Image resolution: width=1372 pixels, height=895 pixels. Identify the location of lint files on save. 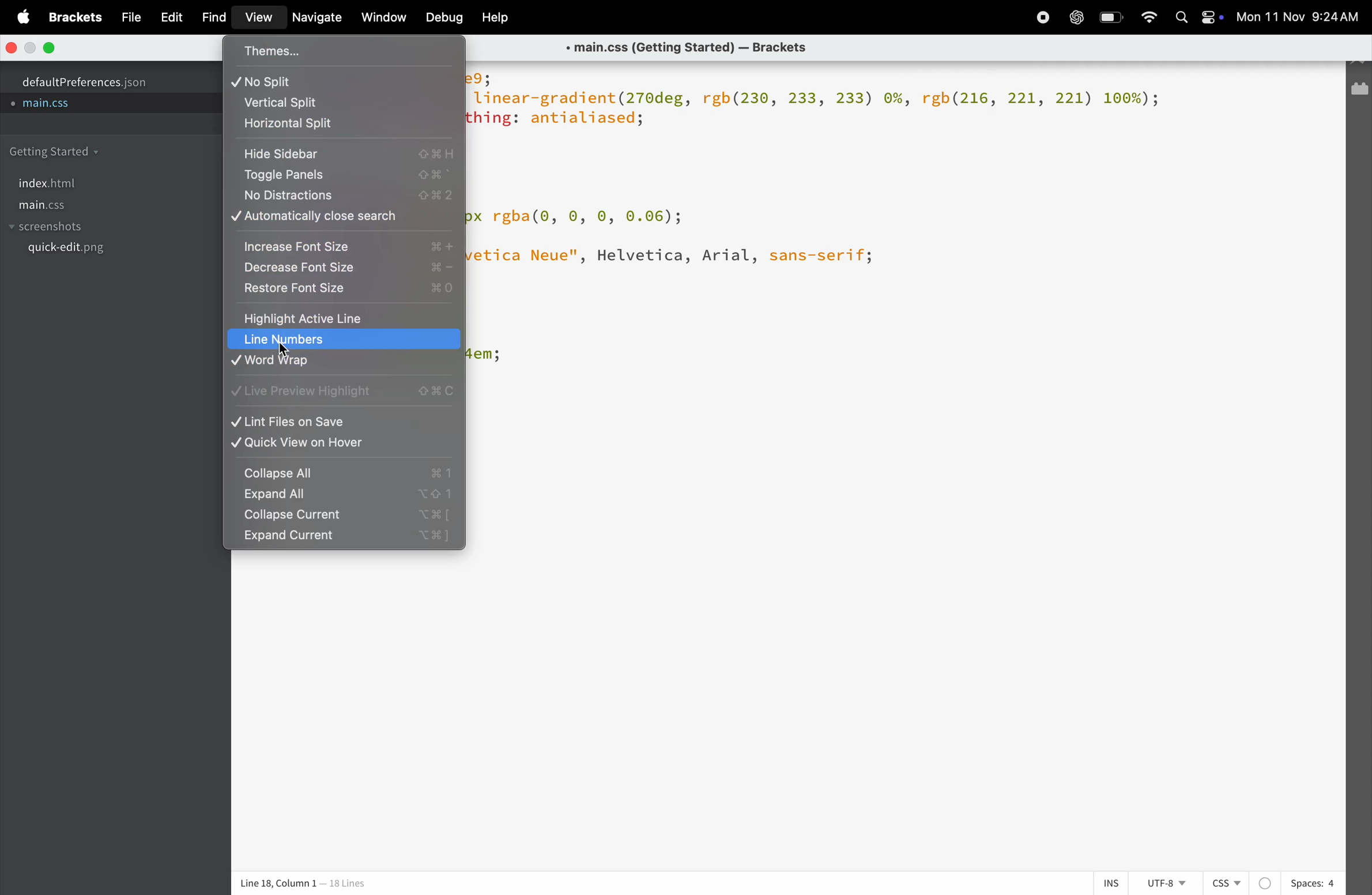
(344, 422).